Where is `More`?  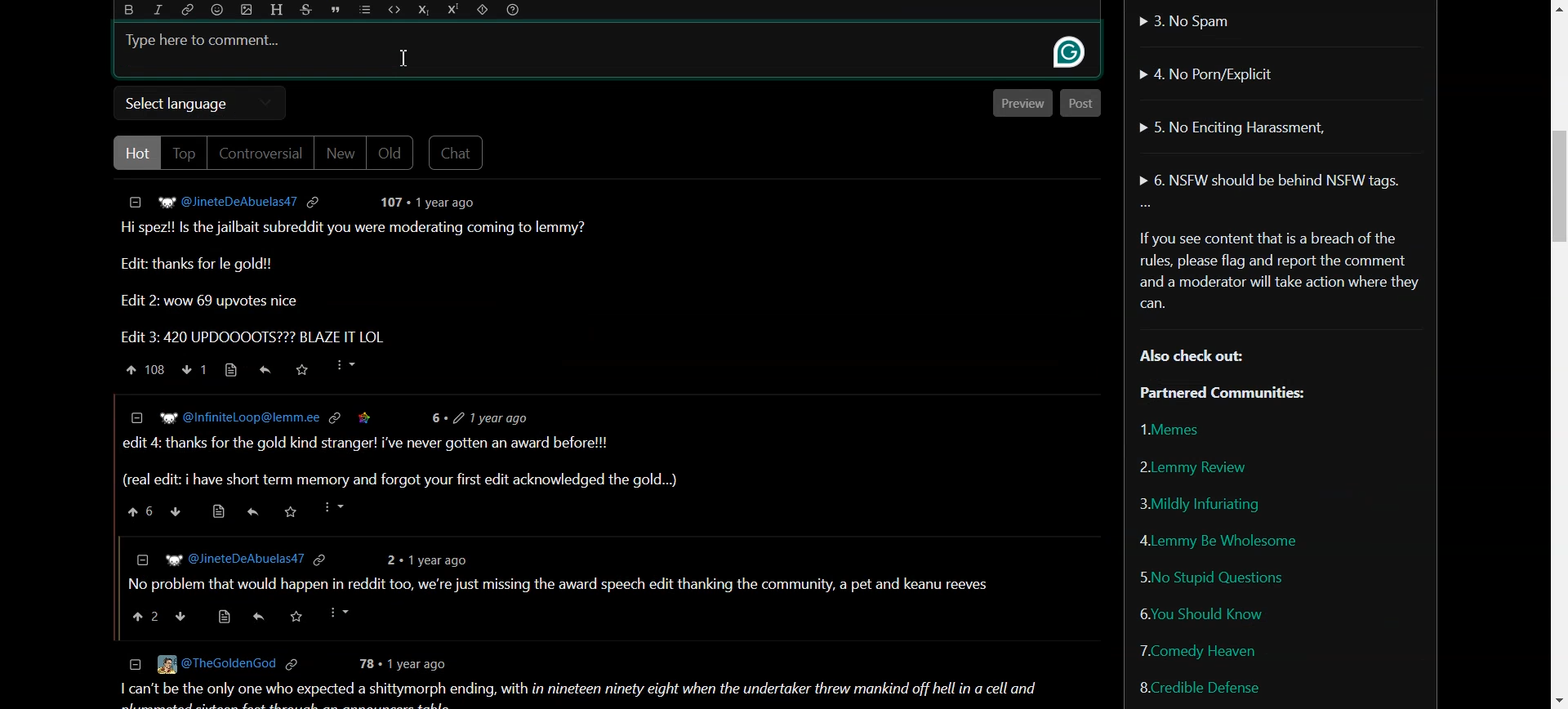 More is located at coordinates (343, 367).